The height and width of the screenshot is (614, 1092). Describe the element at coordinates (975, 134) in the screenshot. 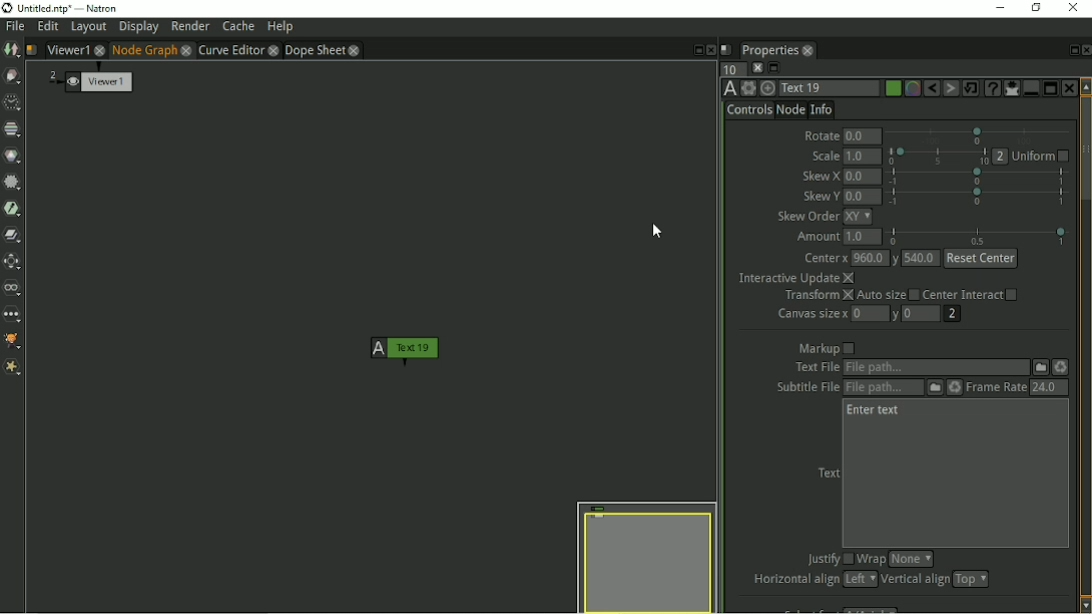

I see `selection bar` at that location.